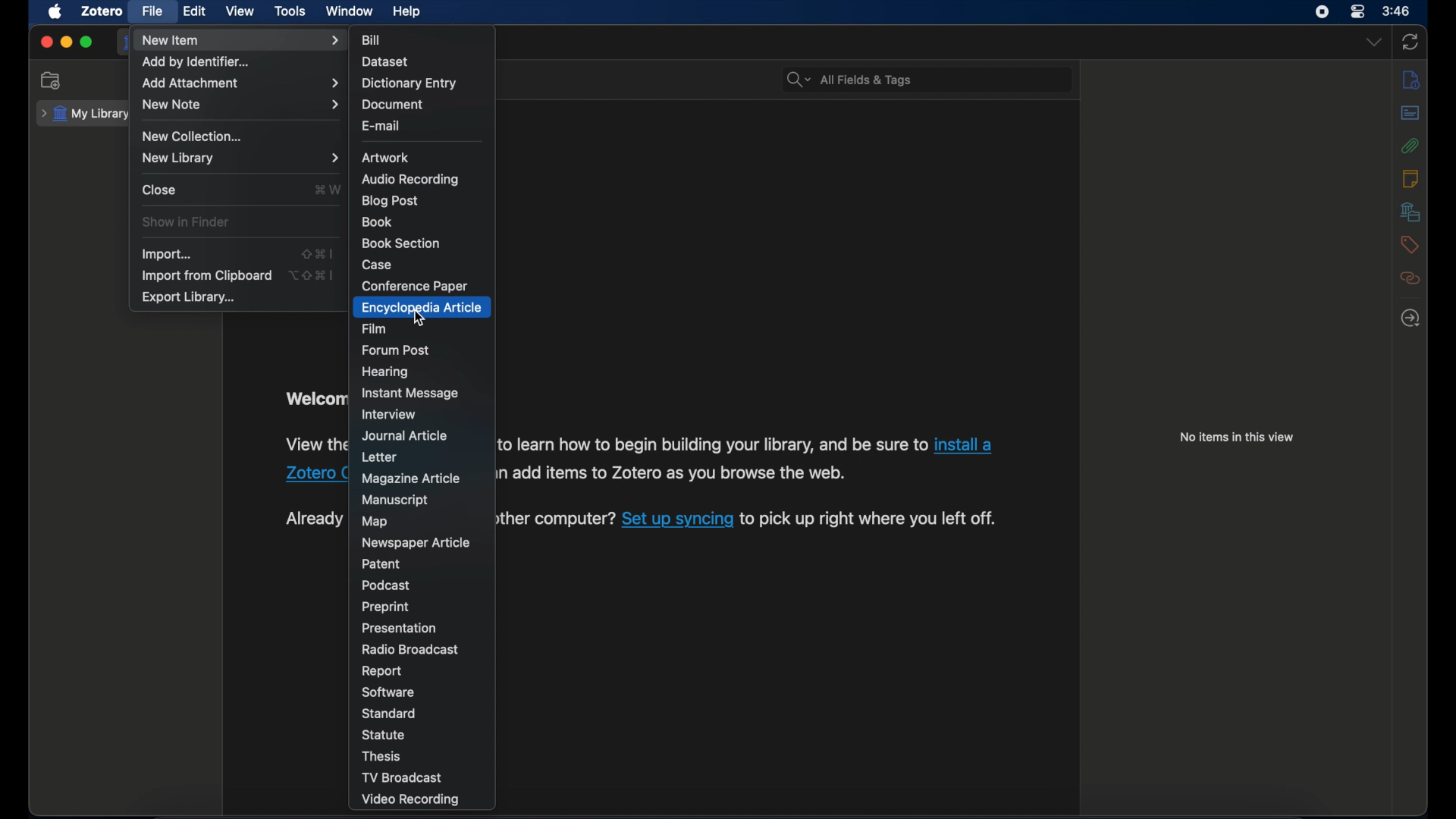 Image resolution: width=1456 pixels, height=819 pixels. Describe the element at coordinates (394, 105) in the screenshot. I see `document` at that location.